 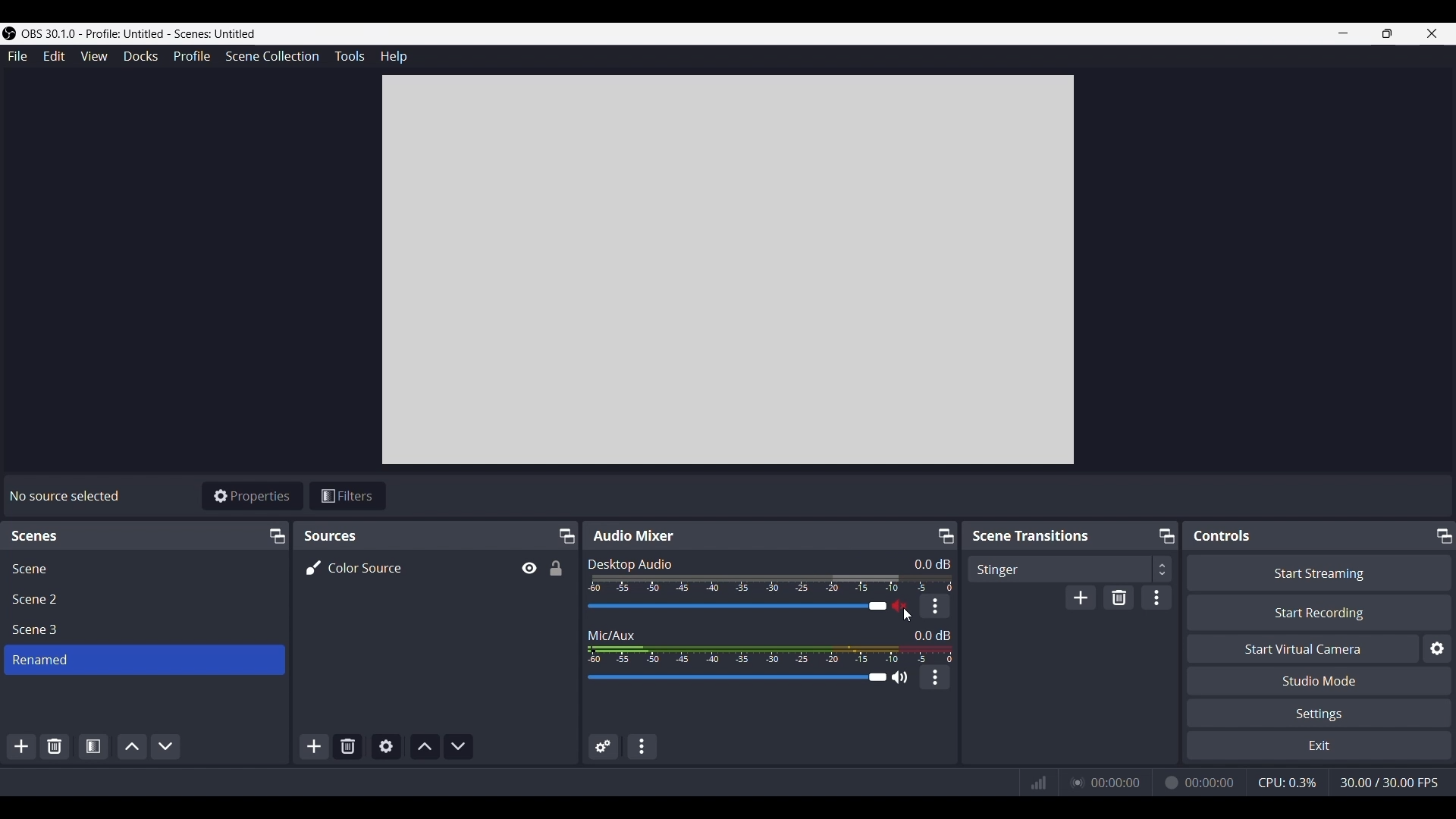 What do you see at coordinates (728, 270) in the screenshot?
I see `Color source canvas` at bounding box center [728, 270].